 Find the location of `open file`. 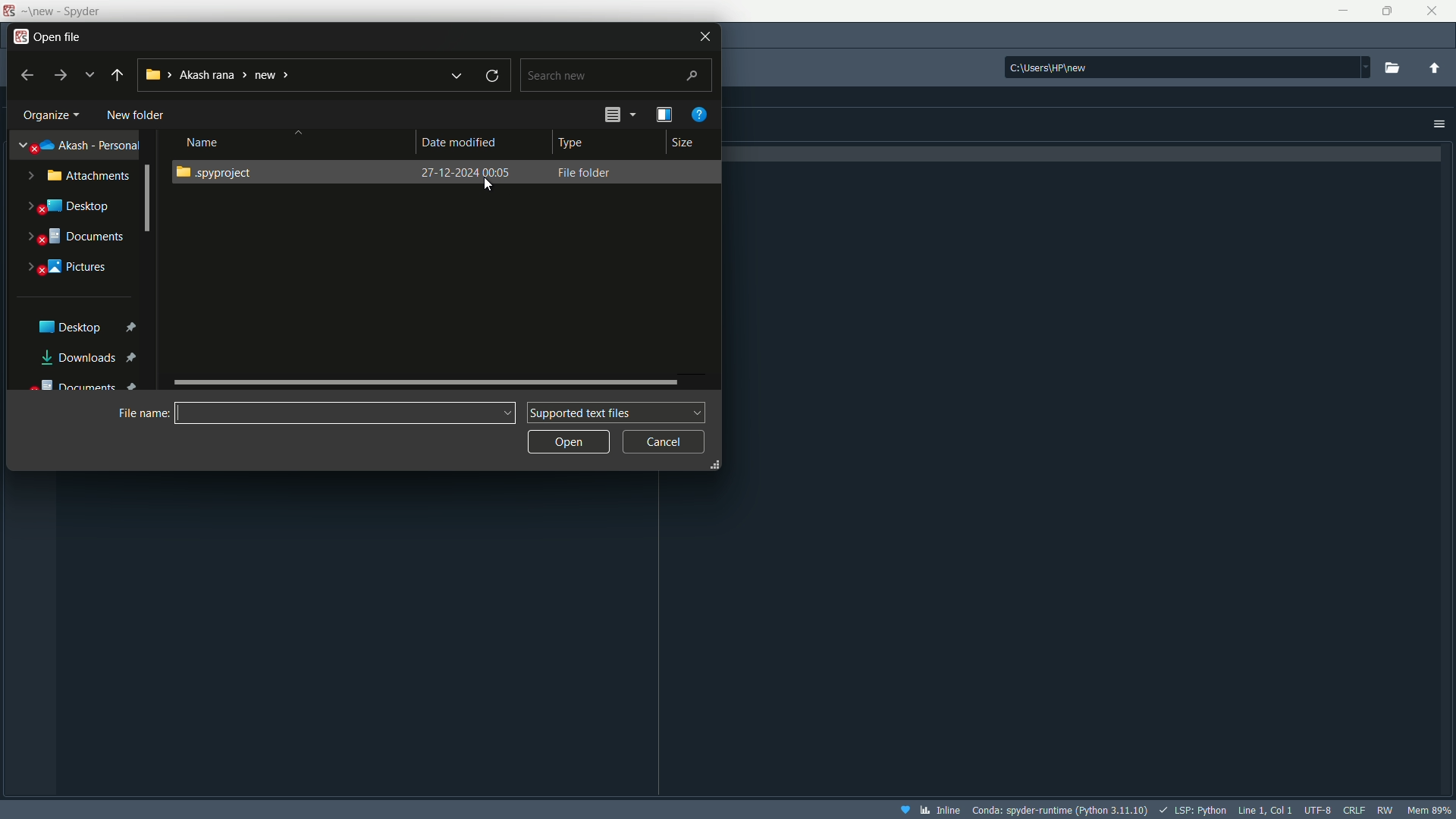

open file is located at coordinates (64, 38).